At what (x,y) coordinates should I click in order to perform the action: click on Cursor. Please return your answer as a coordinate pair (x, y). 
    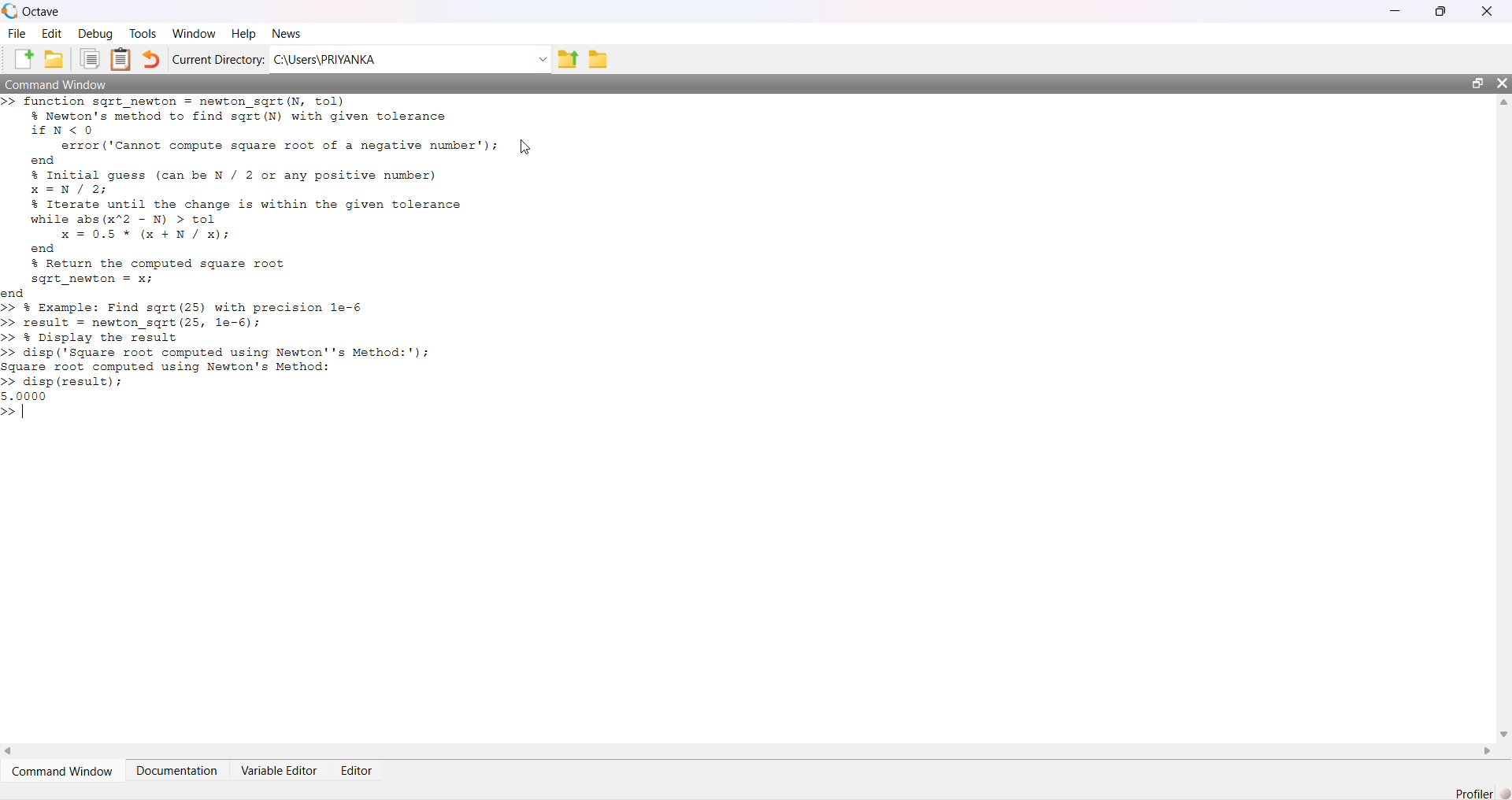
    Looking at the image, I should click on (529, 145).